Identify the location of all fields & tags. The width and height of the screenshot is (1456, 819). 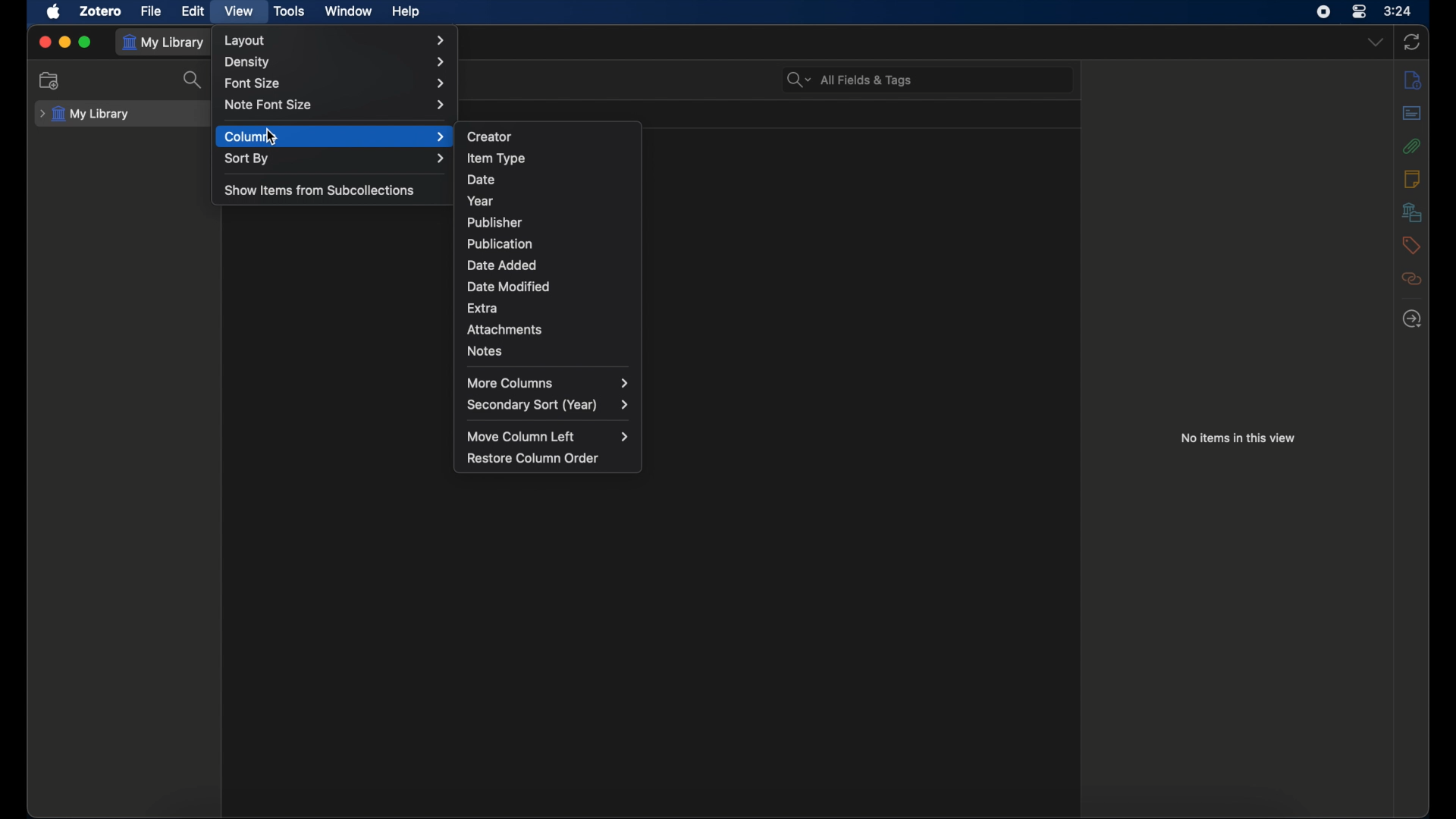
(850, 80).